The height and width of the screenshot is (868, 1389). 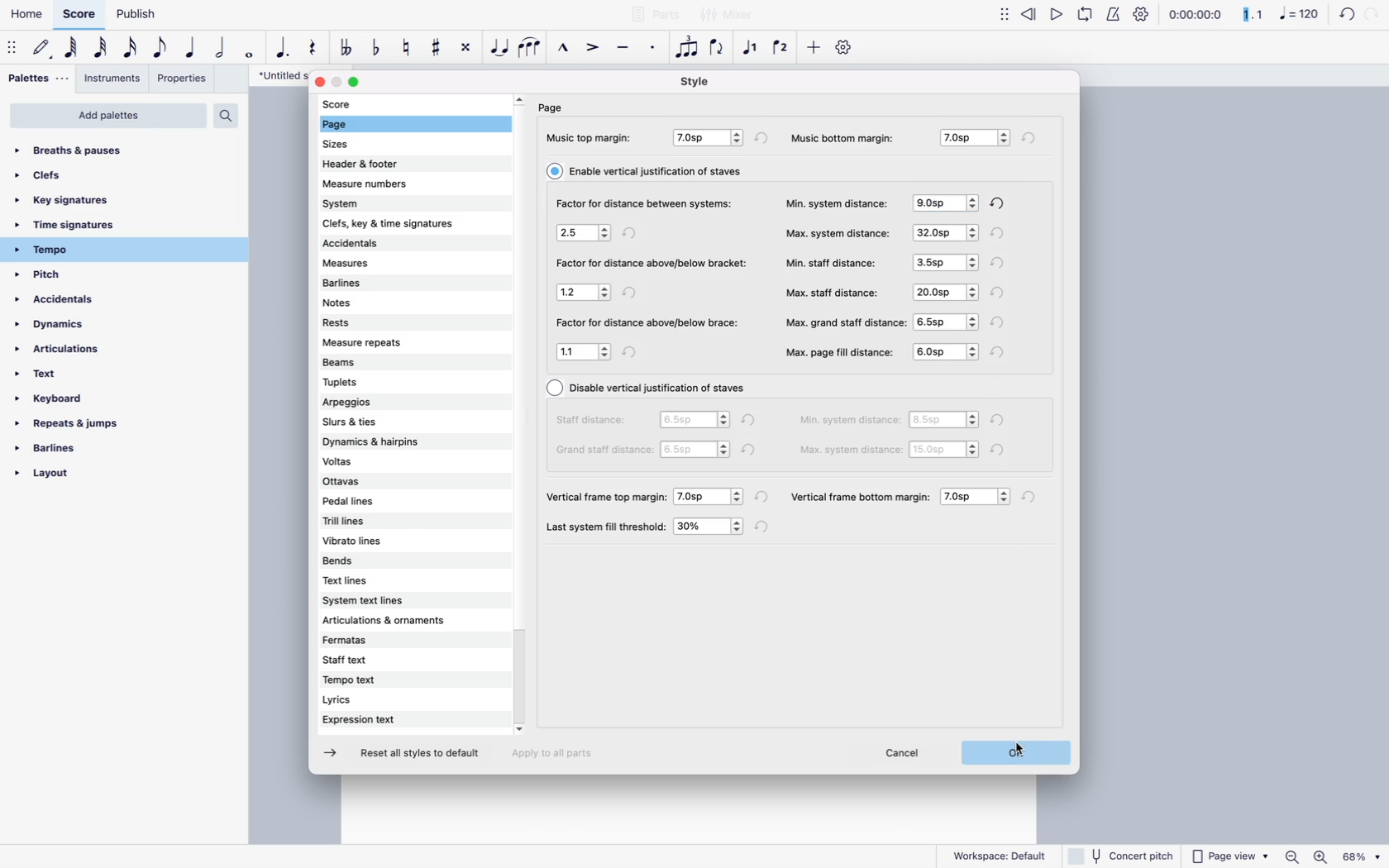 What do you see at coordinates (370, 483) in the screenshot?
I see `ottavas` at bounding box center [370, 483].